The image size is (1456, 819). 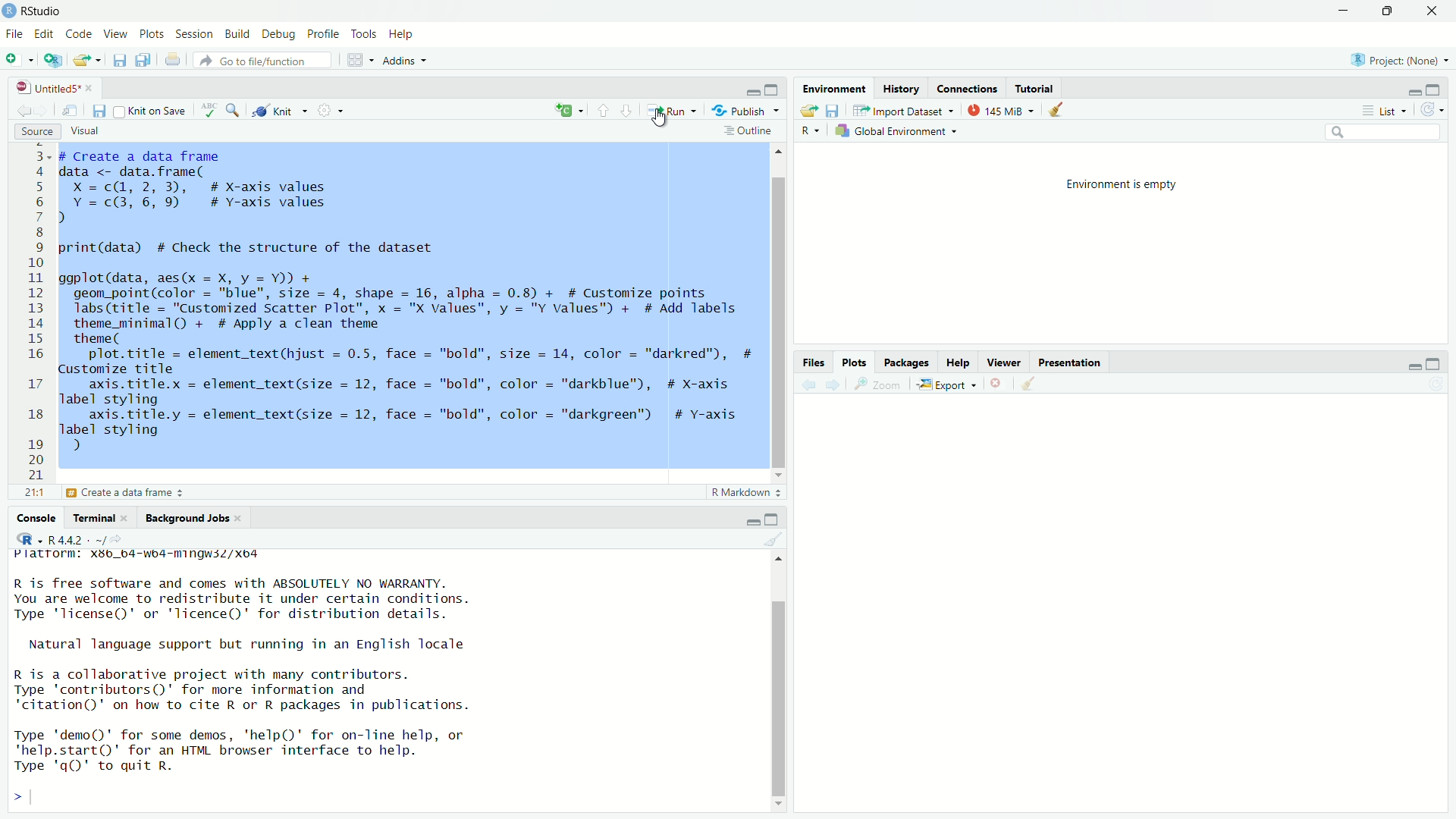 What do you see at coordinates (120, 60) in the screenshot?
I see `Save current document` at bounding box center [120, 60].